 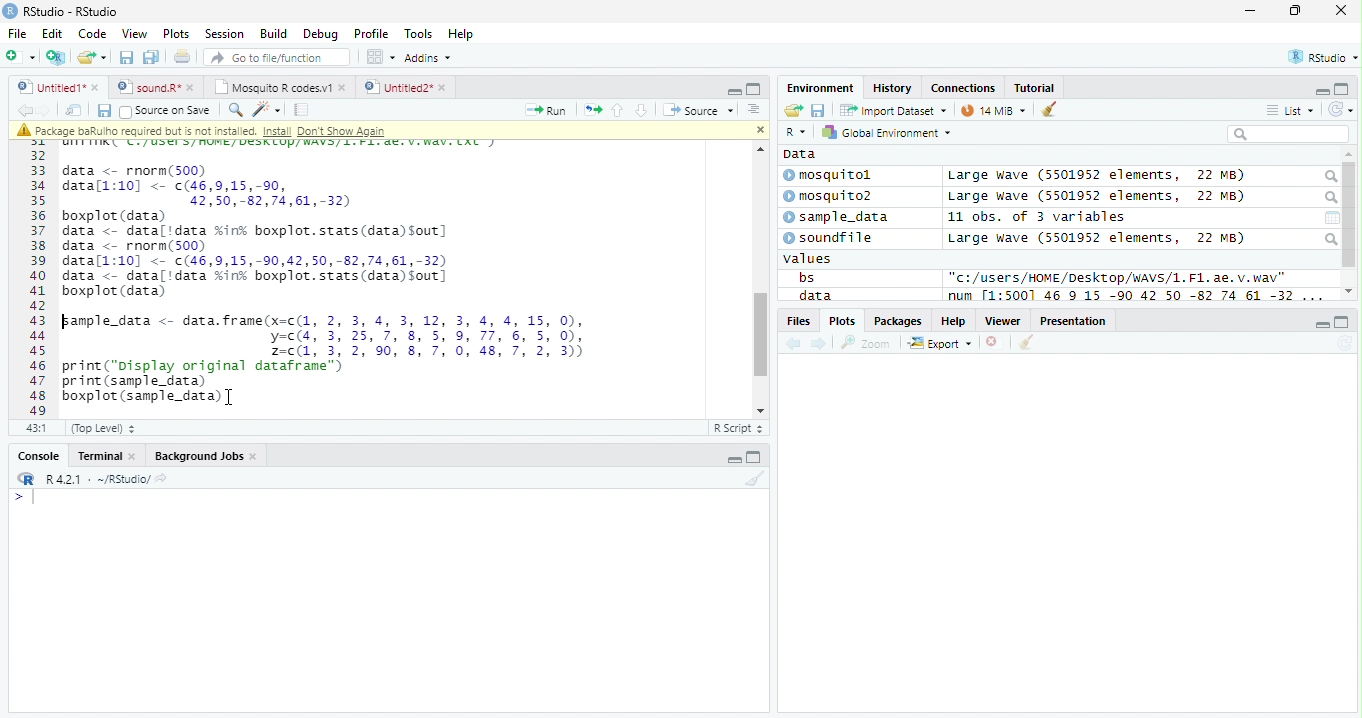 What do you see at coordinates (1341, 110) in the screenshot?
I see `Refresh` at bounding box center [1341, 110].